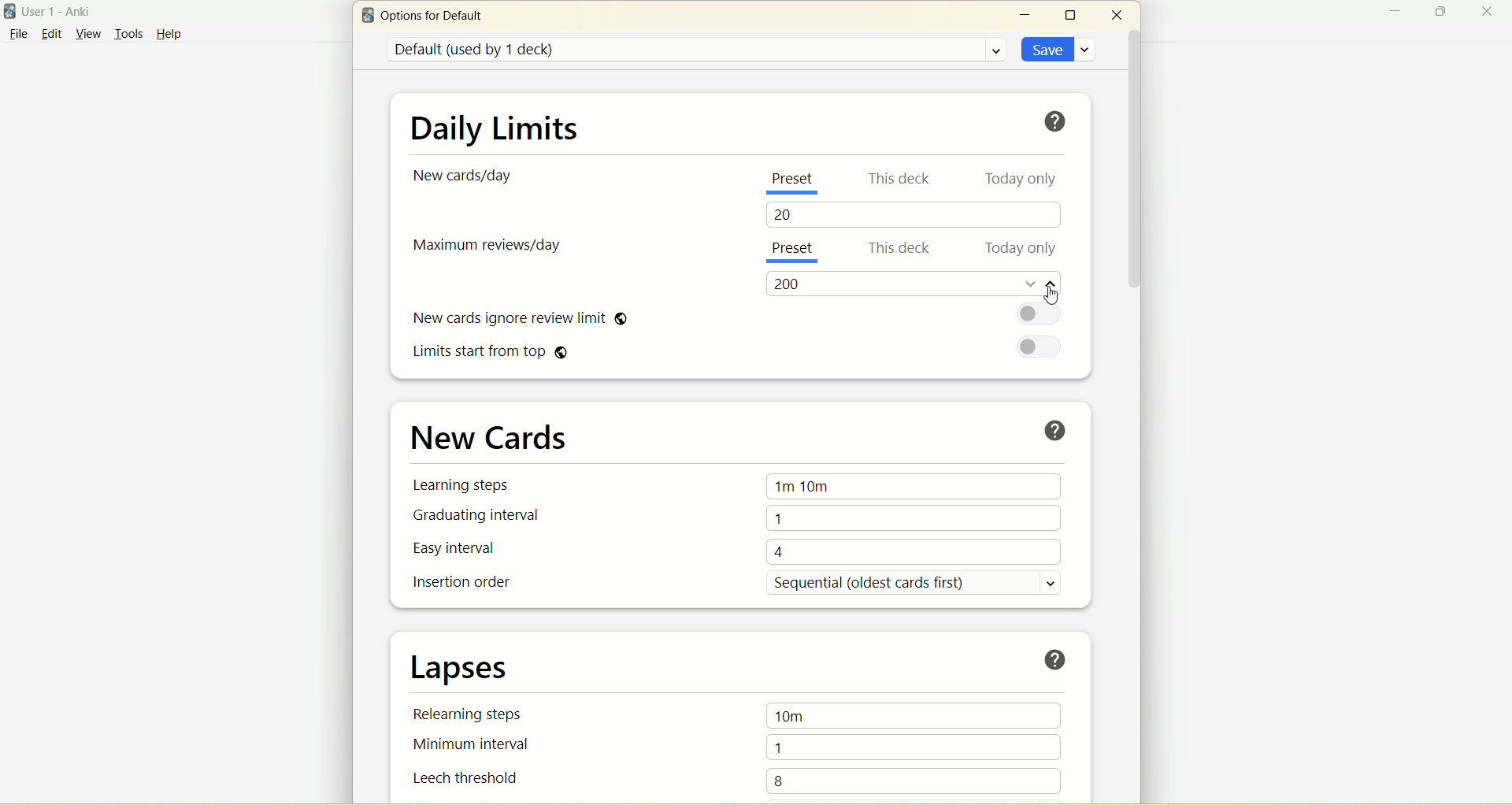  I want to click on User1-Anki, so click(66, 10).